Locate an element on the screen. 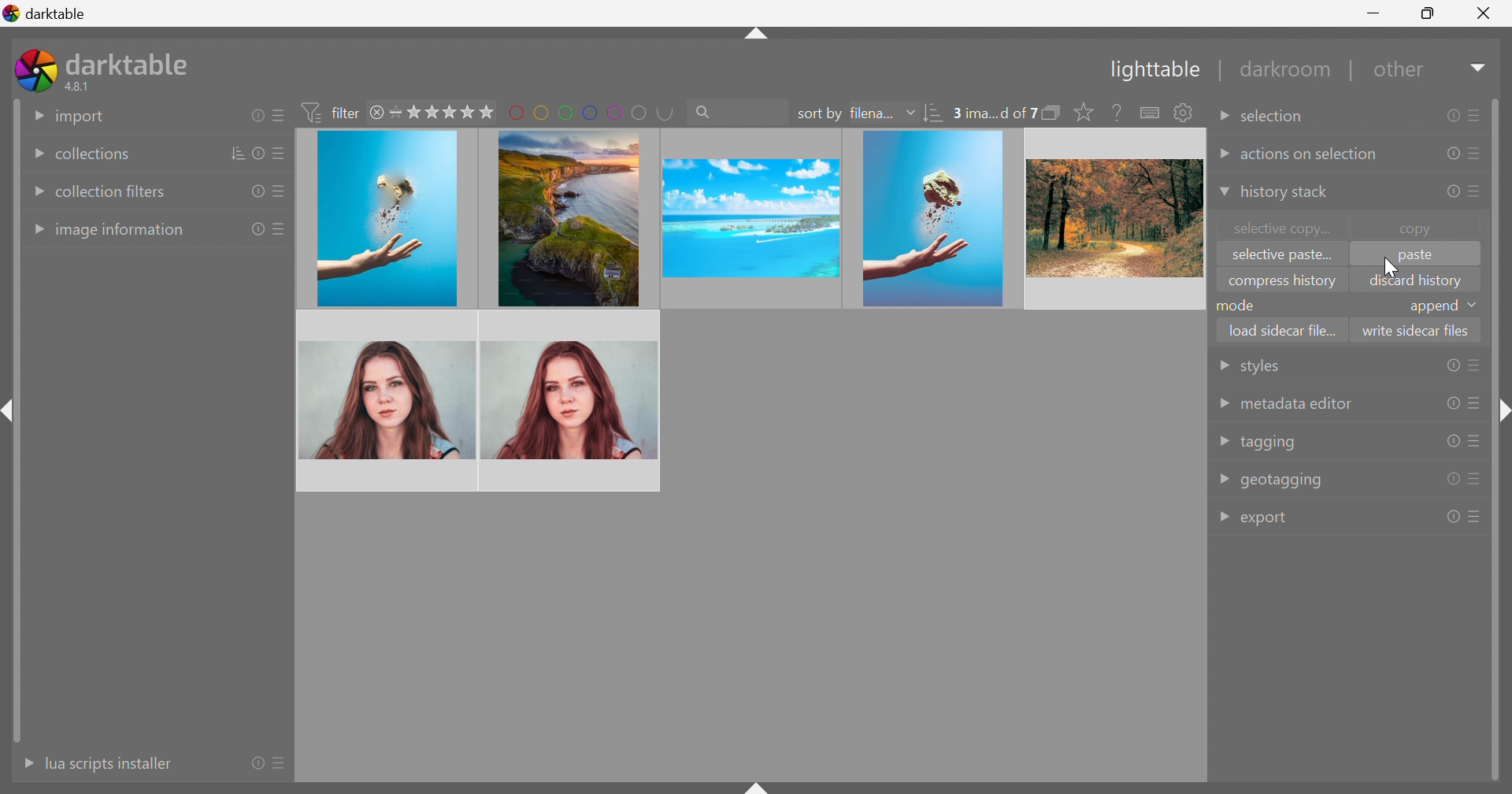 Image resolution: width=1512 pixels, height=794 pixels. discard history is located at coordinates (1416, 280).